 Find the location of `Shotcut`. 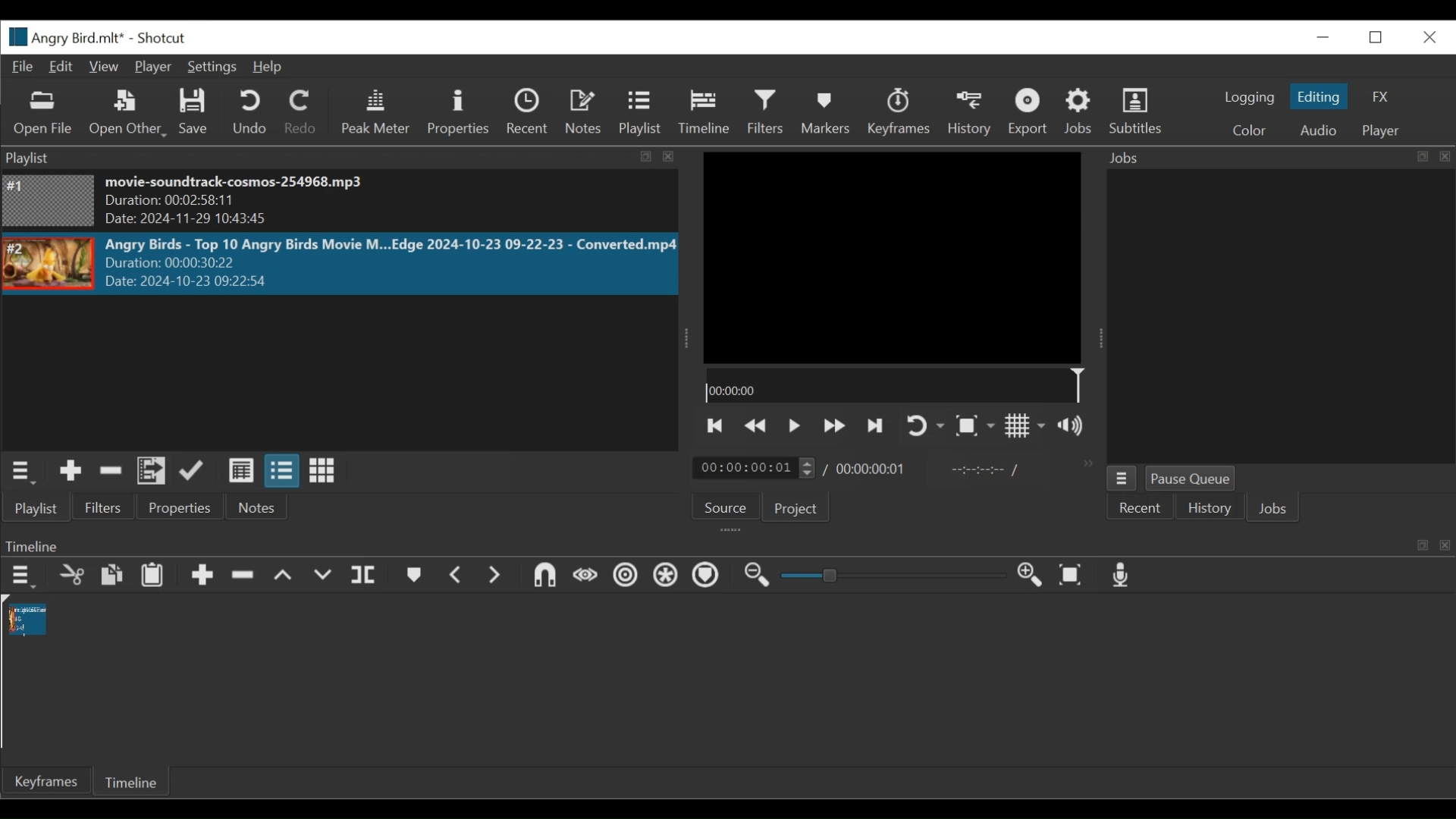

Shotcut is located at coordinates (165, 38).